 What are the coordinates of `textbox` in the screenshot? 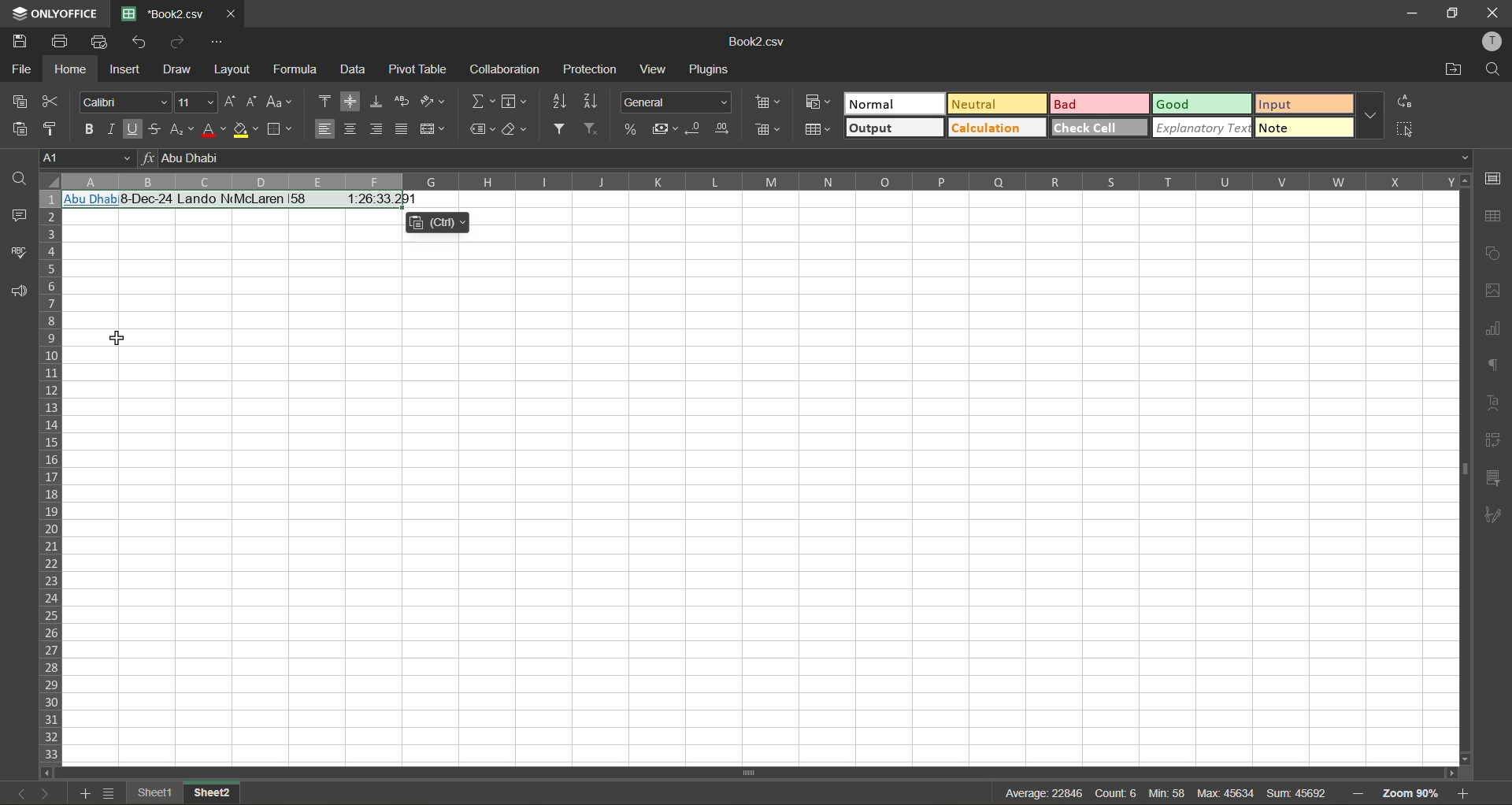 It's located at (1161, 792).